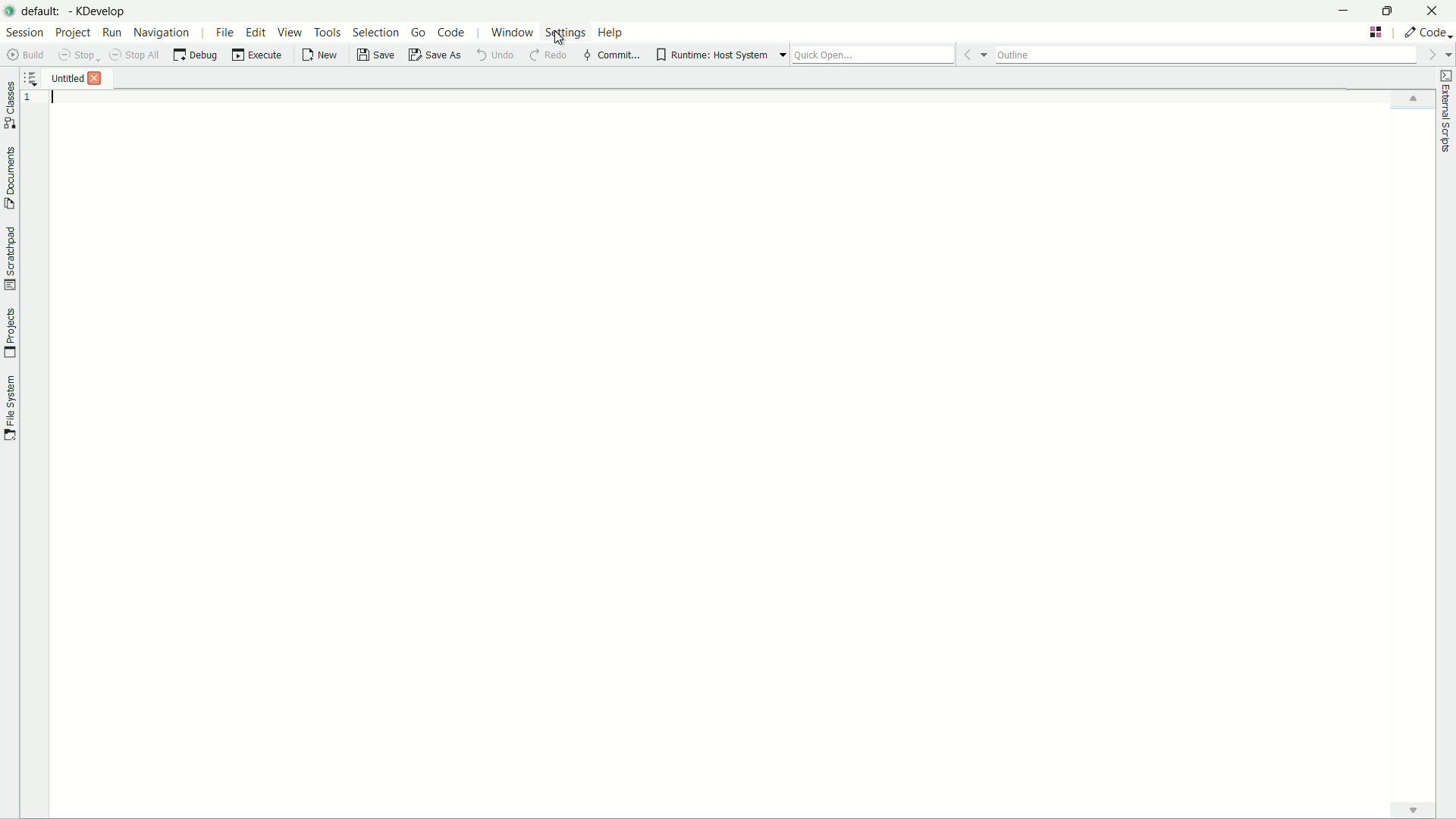  Describe the element at coordinates (69, 78) in the screenshot. I see `untitled` at that location.